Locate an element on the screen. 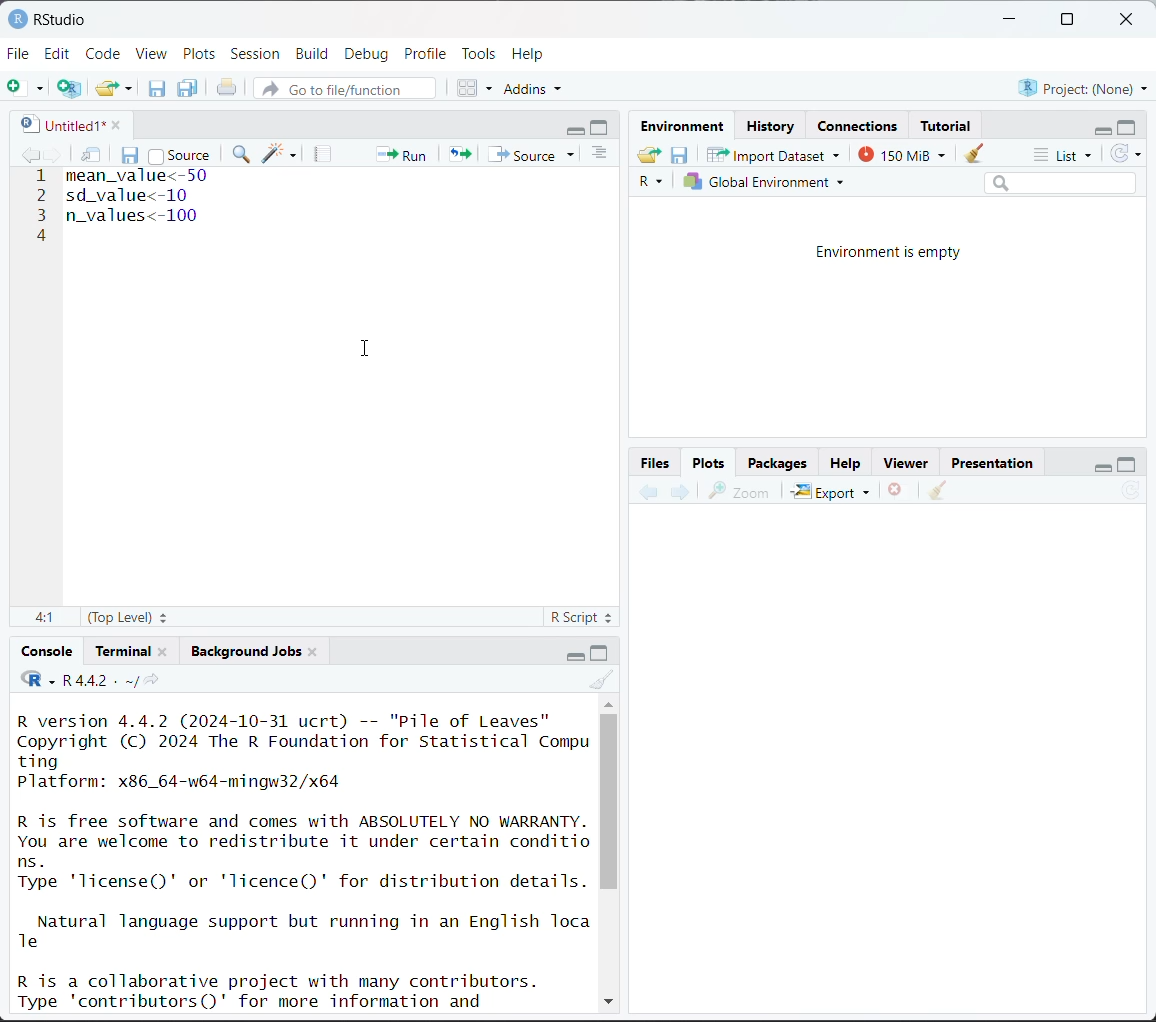 This screenshot has width=1156, height=1022. go to file/function is located at coordinates (343, 90).